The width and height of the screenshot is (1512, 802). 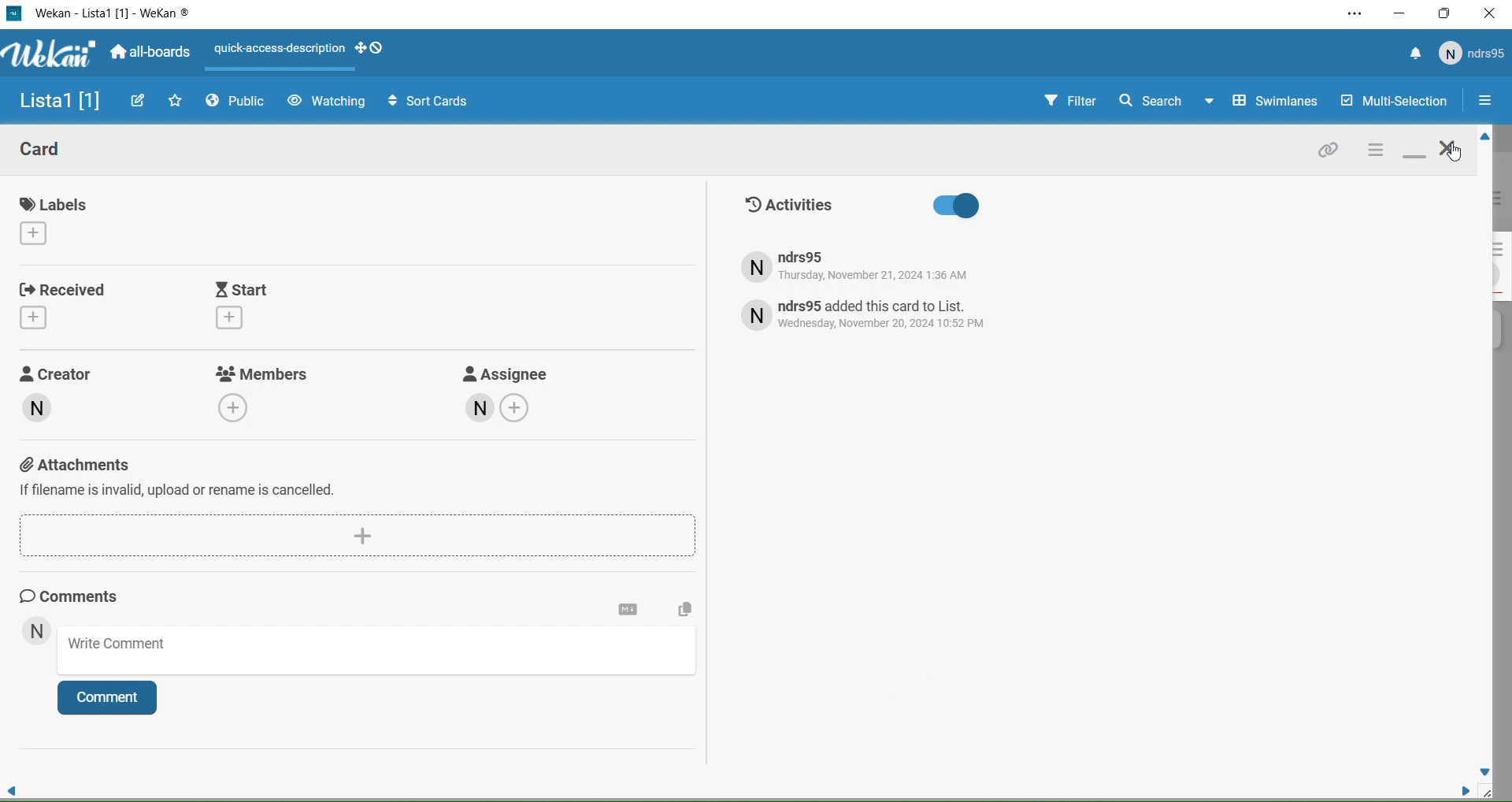 I want to click on Filter, so click(x=1056, y=102).